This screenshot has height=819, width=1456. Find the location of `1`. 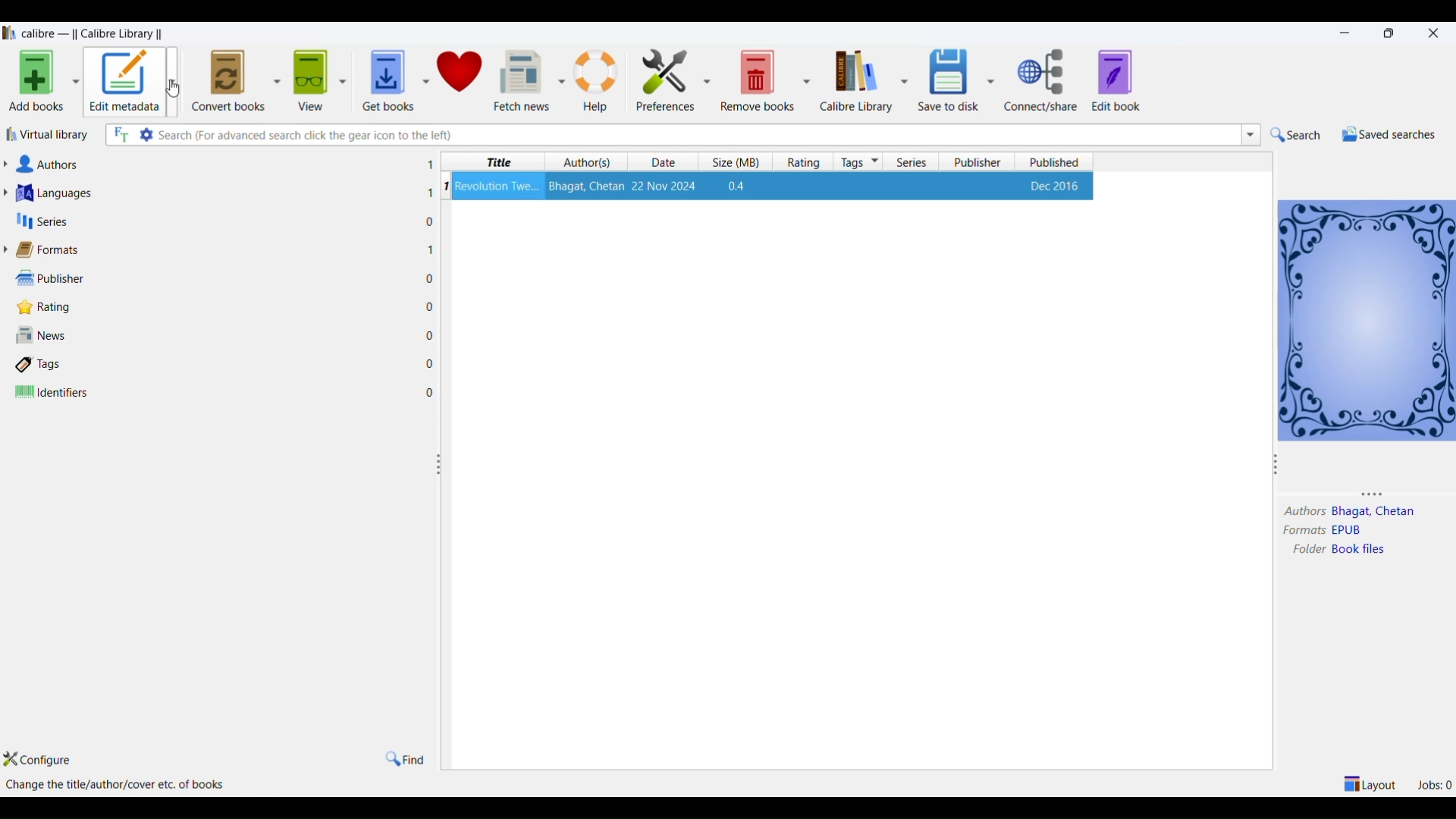

1 is located at coordinates (430, 165).